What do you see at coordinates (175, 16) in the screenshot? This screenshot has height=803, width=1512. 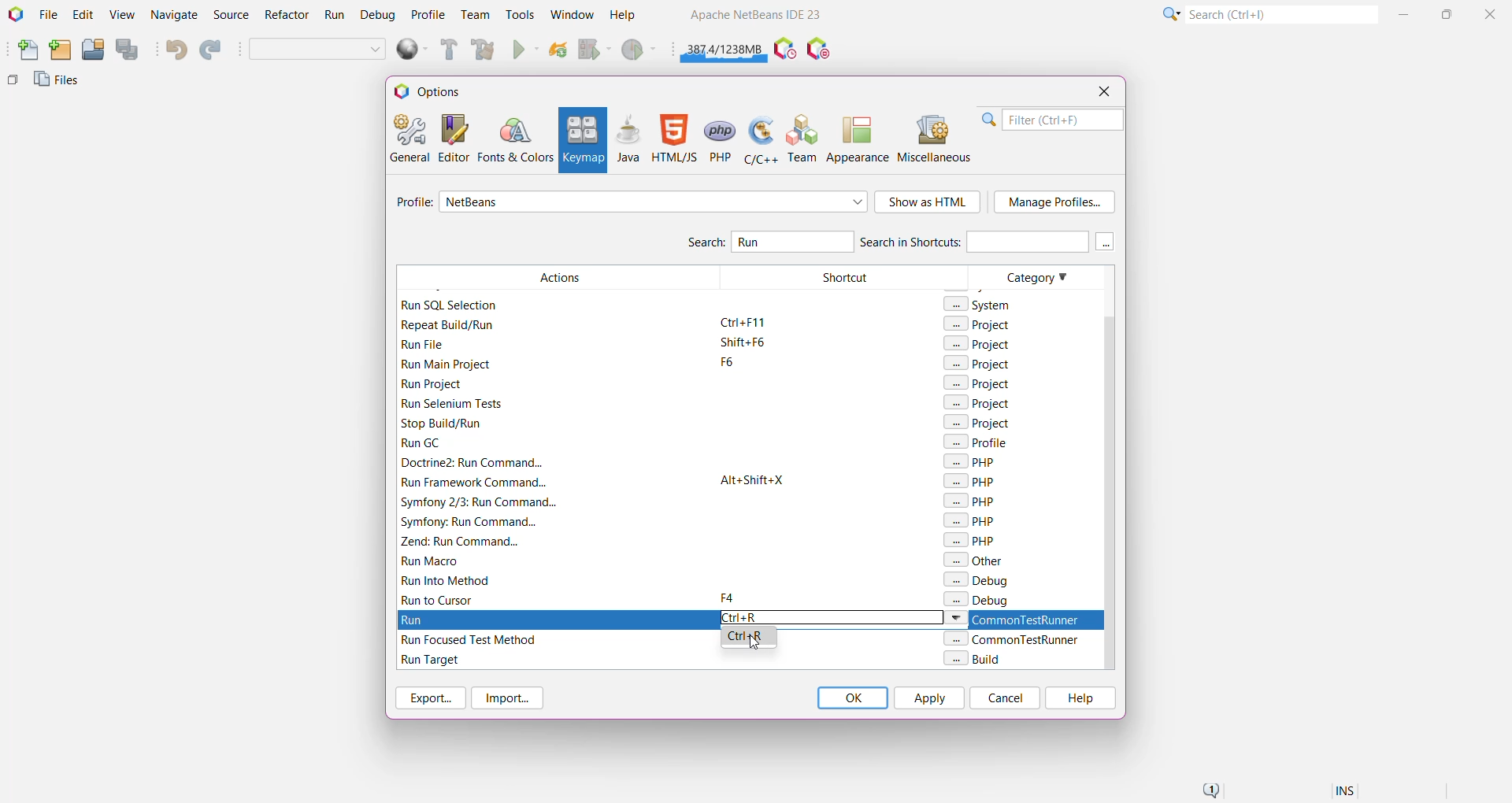 I see `Navigate` at bounding box center [175, 16].